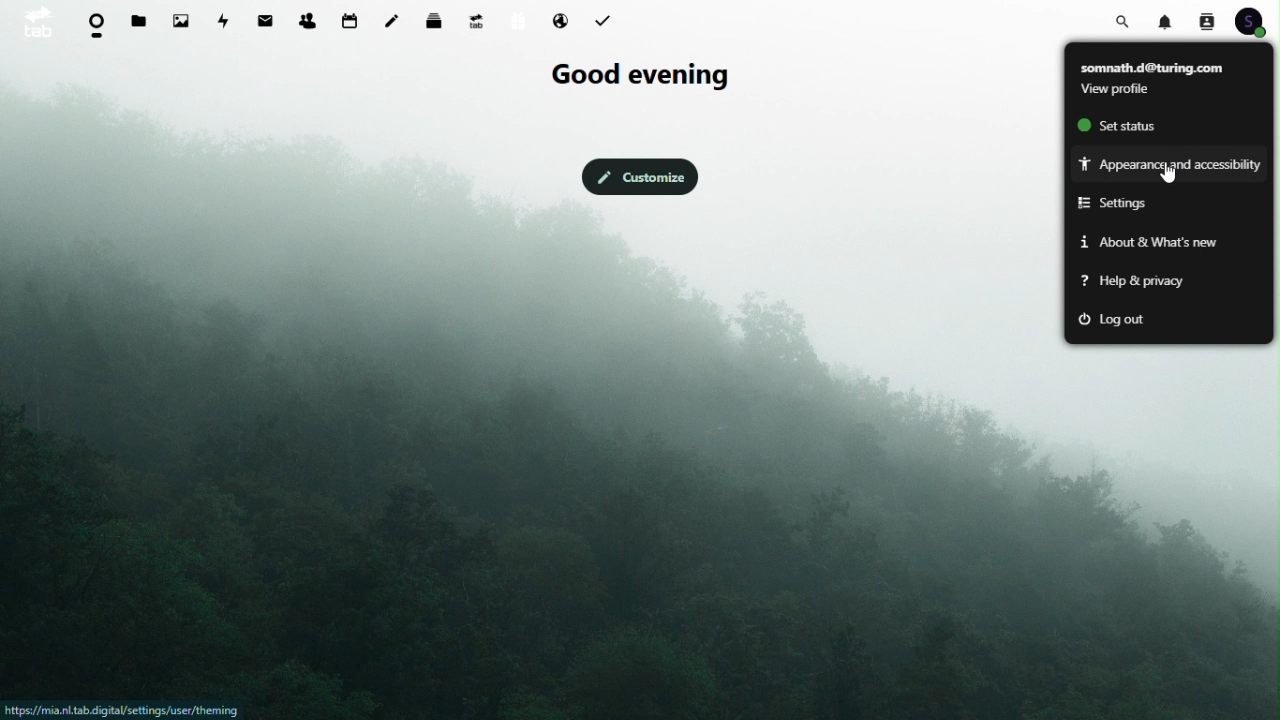  I want to click on Status, so click(1128, 123).